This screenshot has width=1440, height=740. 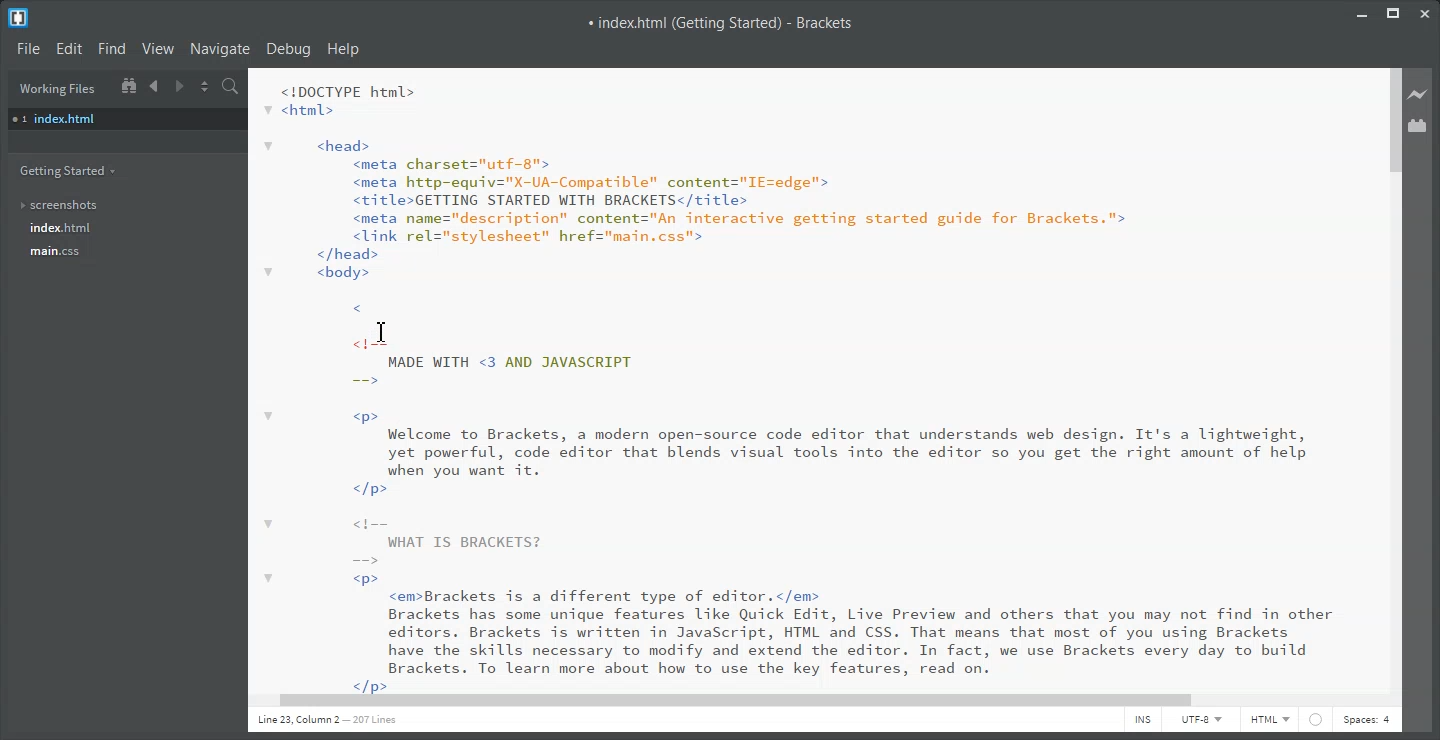 What do you see at coordinates (111, 49) in the screenshot?
I see `Find` at bounding box center [111, 49].